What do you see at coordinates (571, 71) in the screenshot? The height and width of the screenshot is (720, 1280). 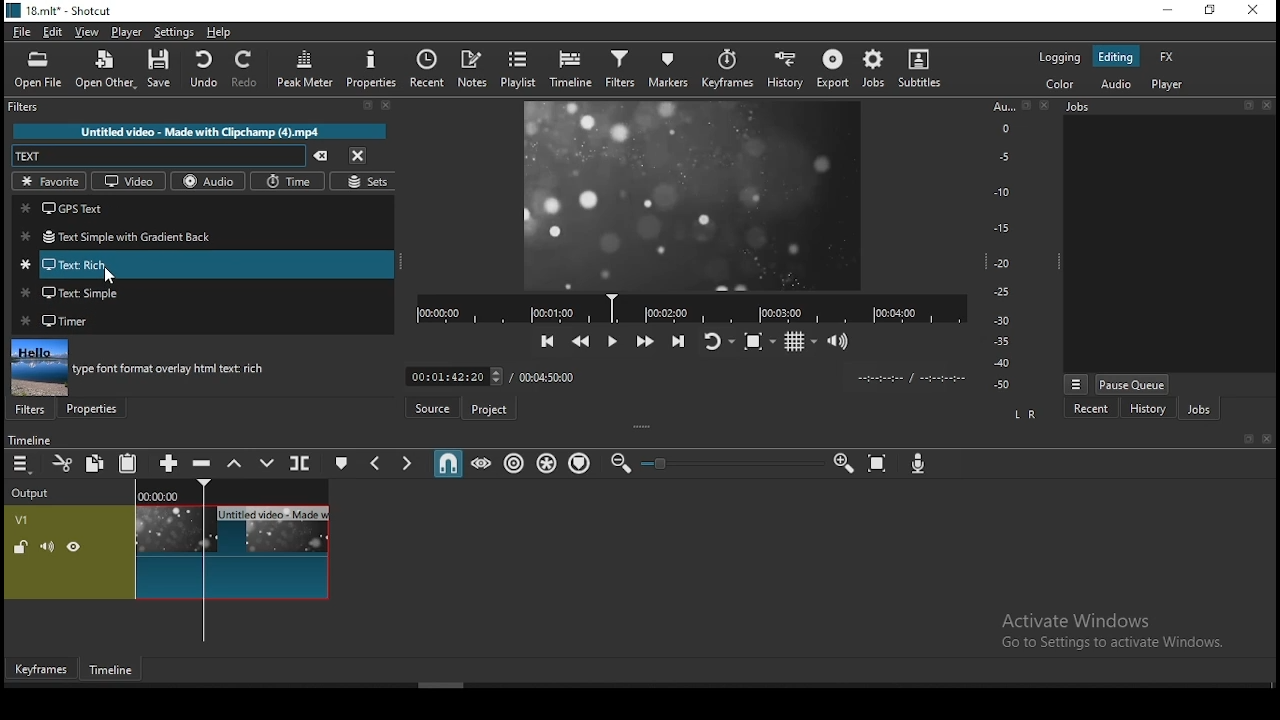 I see `timeline` at bounding box center [571, 71].